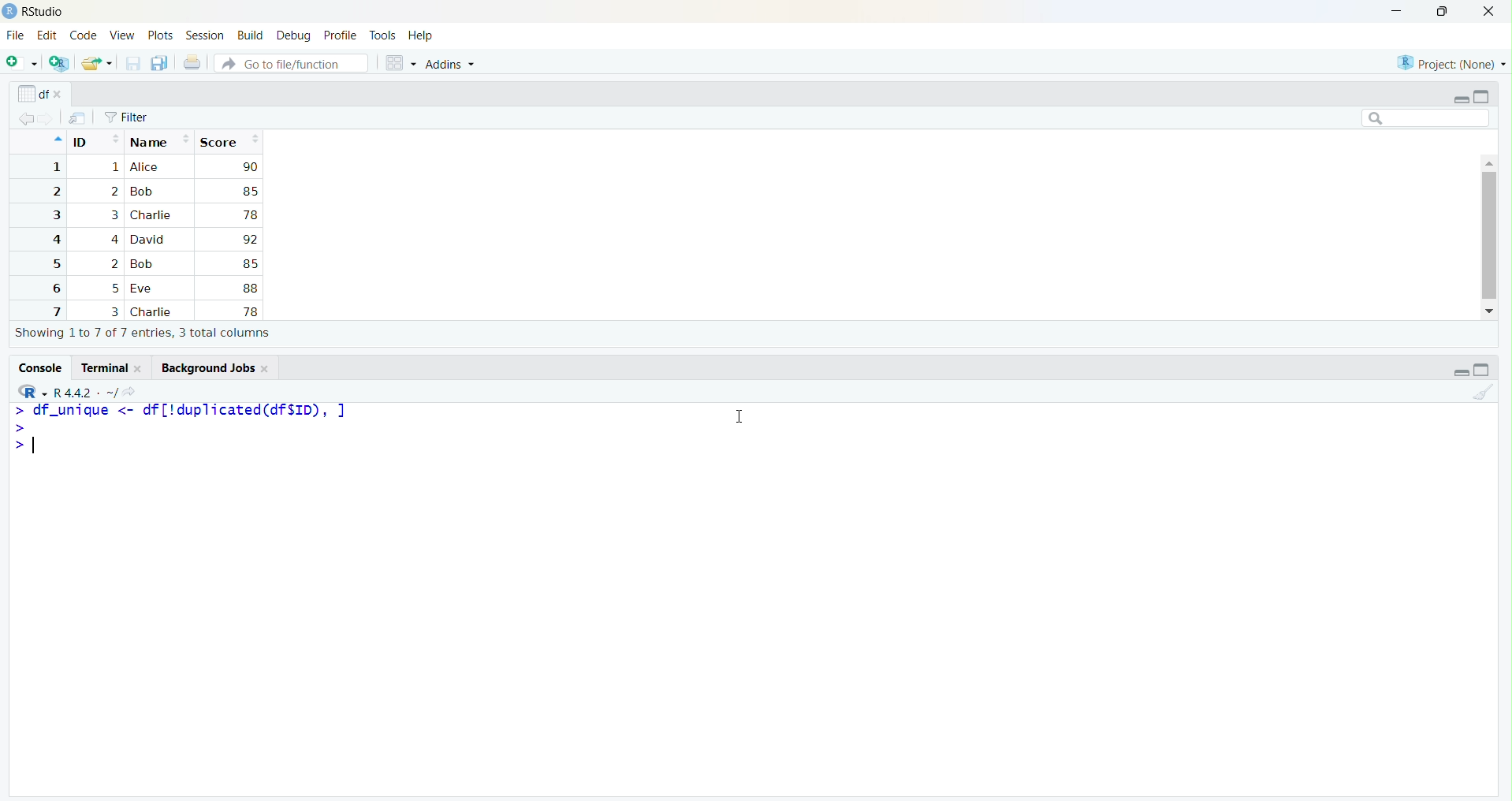 This screenshot has height=801, width=1512. I want to click on 1, so click(54, 167).